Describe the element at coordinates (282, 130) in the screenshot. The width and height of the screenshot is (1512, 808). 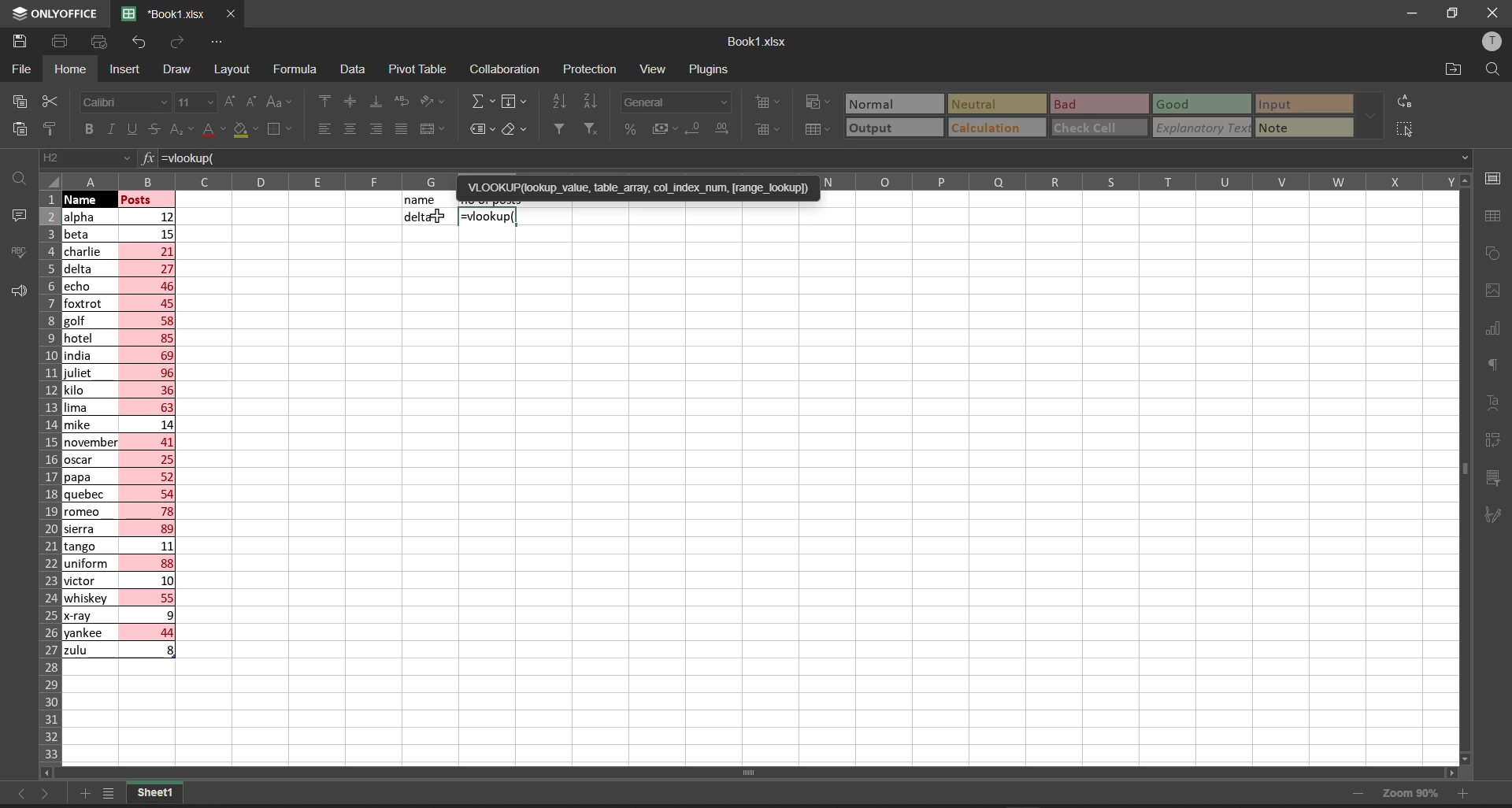
I see `borders` at that location.